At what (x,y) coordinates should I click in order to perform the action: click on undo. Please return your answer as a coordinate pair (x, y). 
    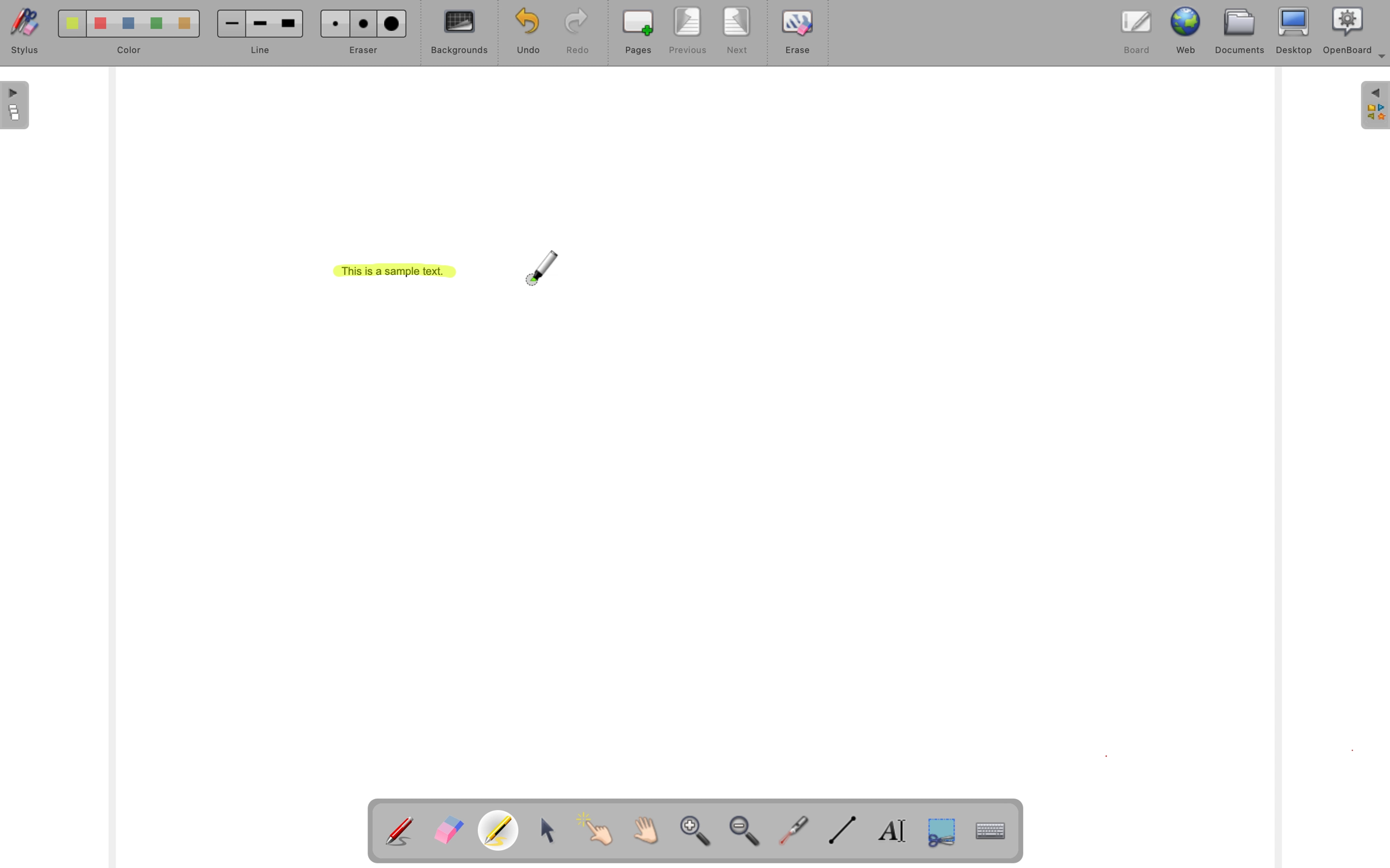
    Looking at the image, I should click on (524, 32).